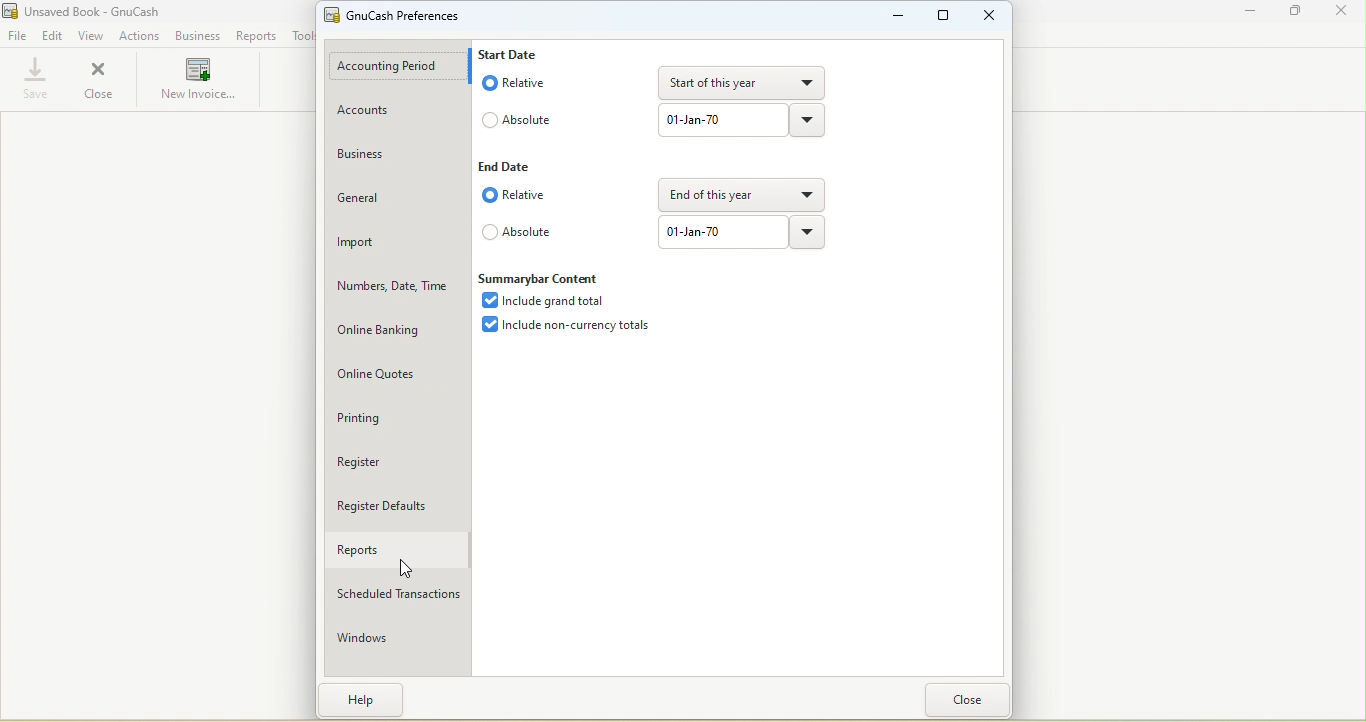 This screenshot has width=1366, height=722. What do you see at coordinates (517, 52) in the screenshot?
I see `Start date` at bounding box center [517, 52].